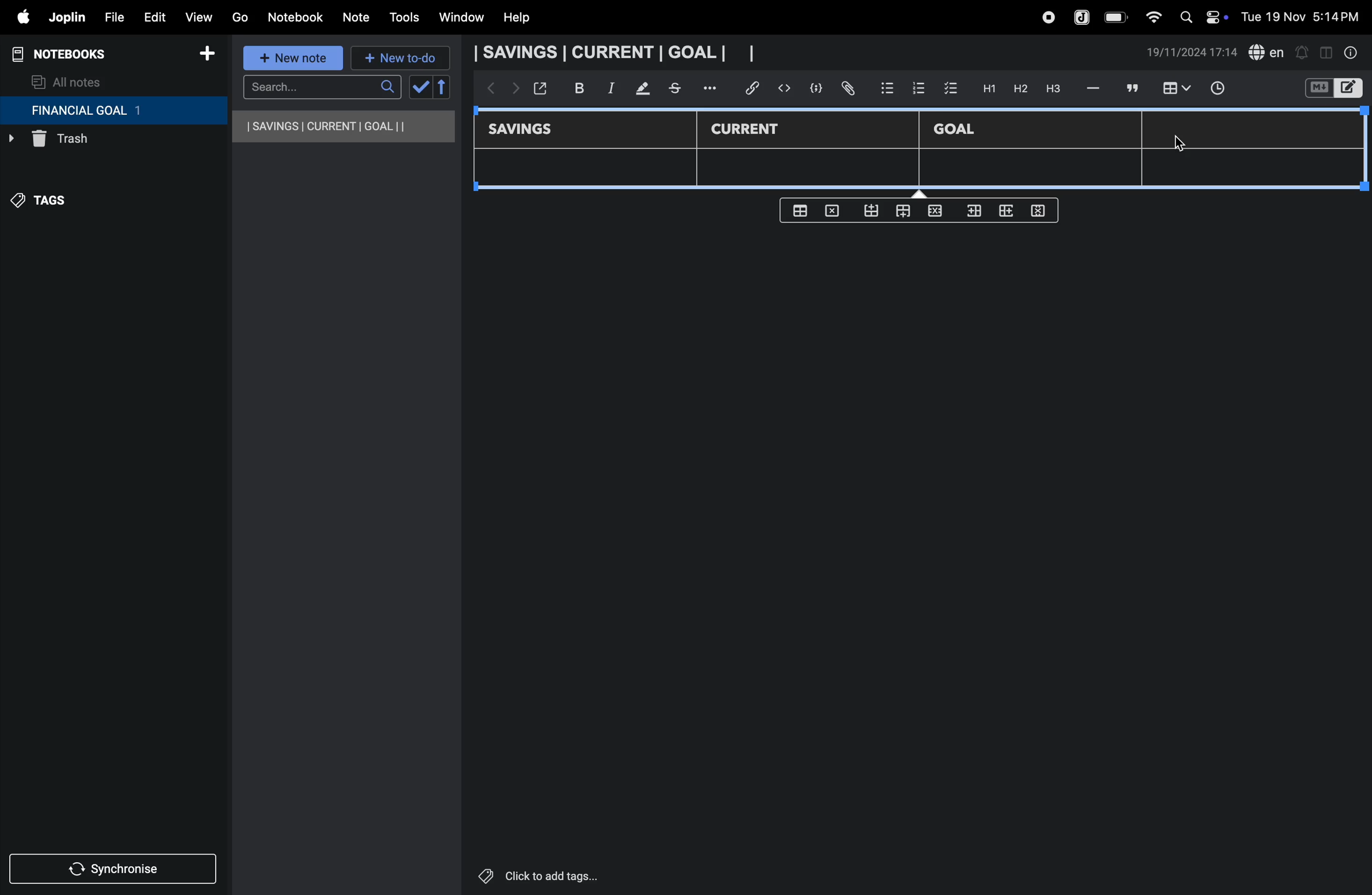  What do you see at coordinates (1326, 51) in the screenshot?
I see `toggle editor` at bounding box center [1326, 51].